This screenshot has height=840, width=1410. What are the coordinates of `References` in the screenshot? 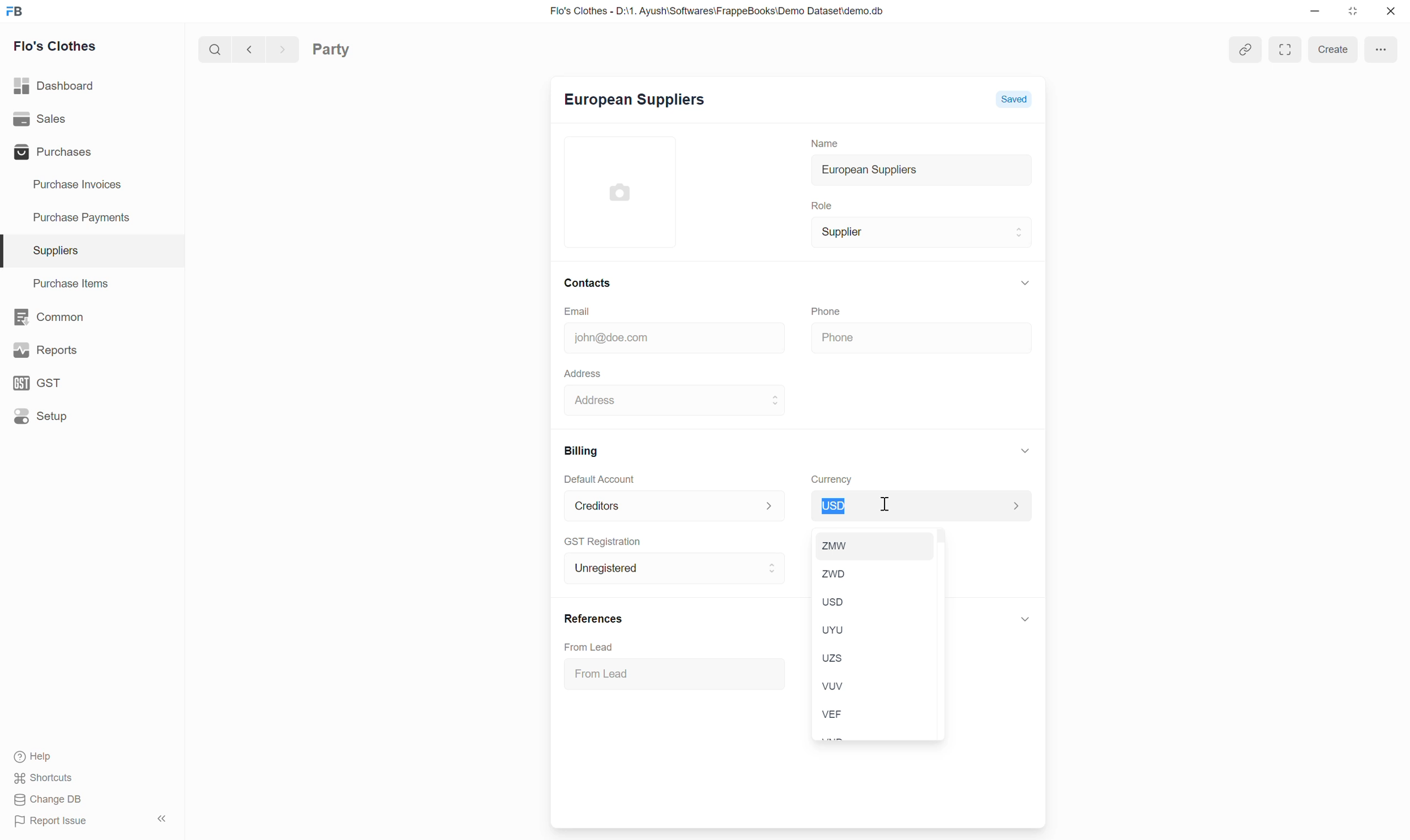 It's located at (589, 618).